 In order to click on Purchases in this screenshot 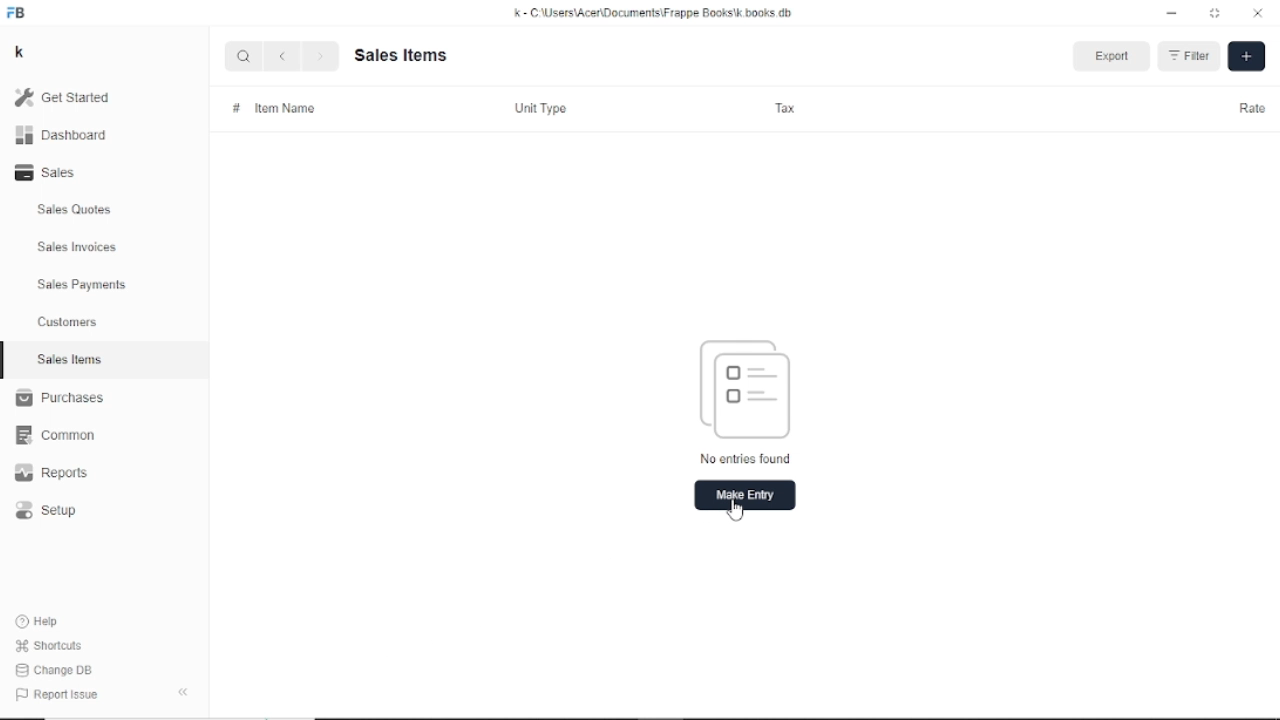, I will do `click(59, 397)`.